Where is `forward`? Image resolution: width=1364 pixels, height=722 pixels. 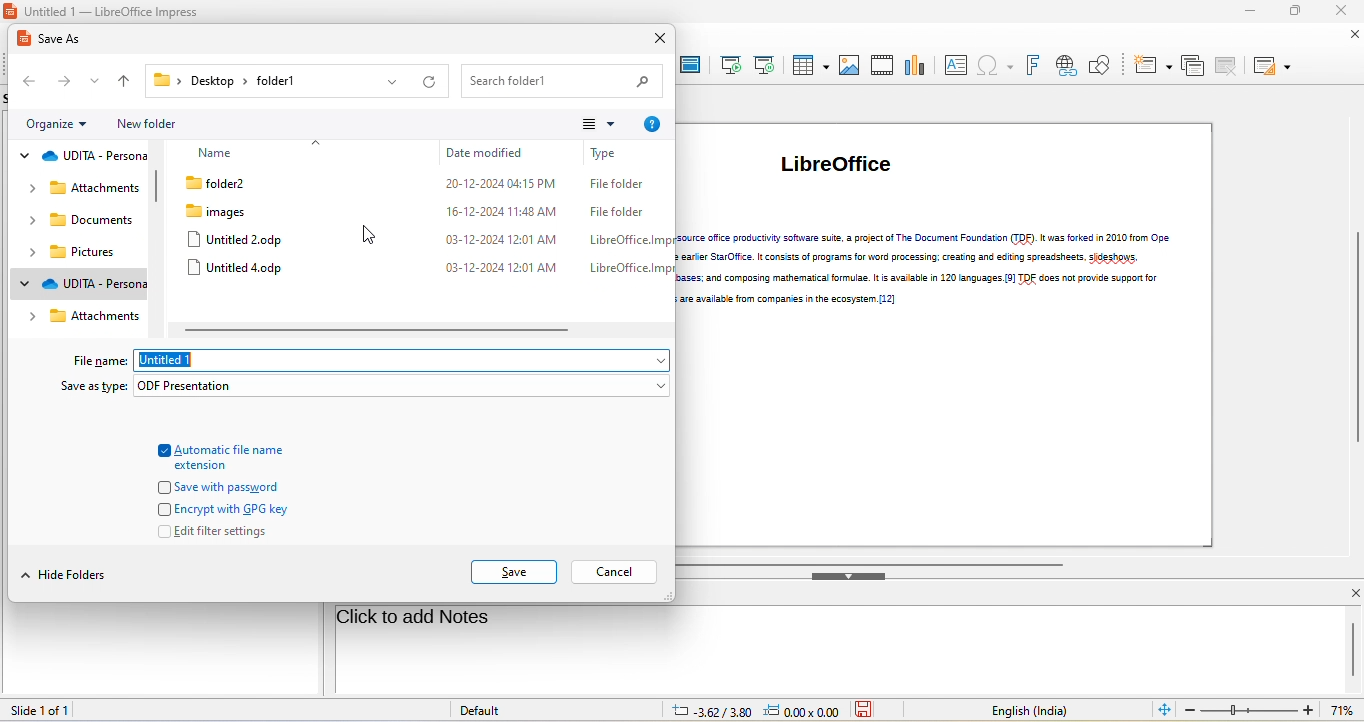 forward is located at coordinates (62, 80).